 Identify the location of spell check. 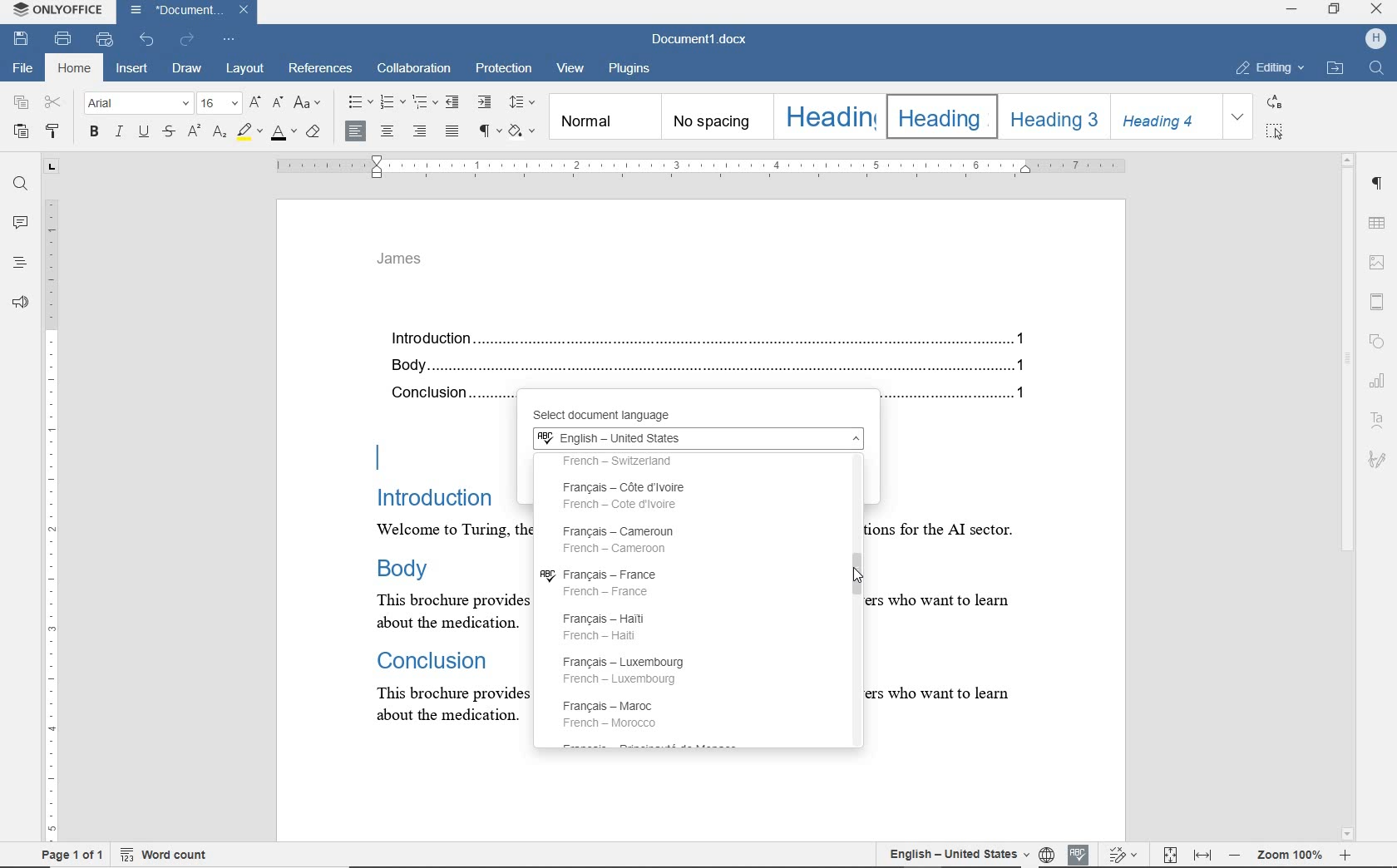
(1075, 852).